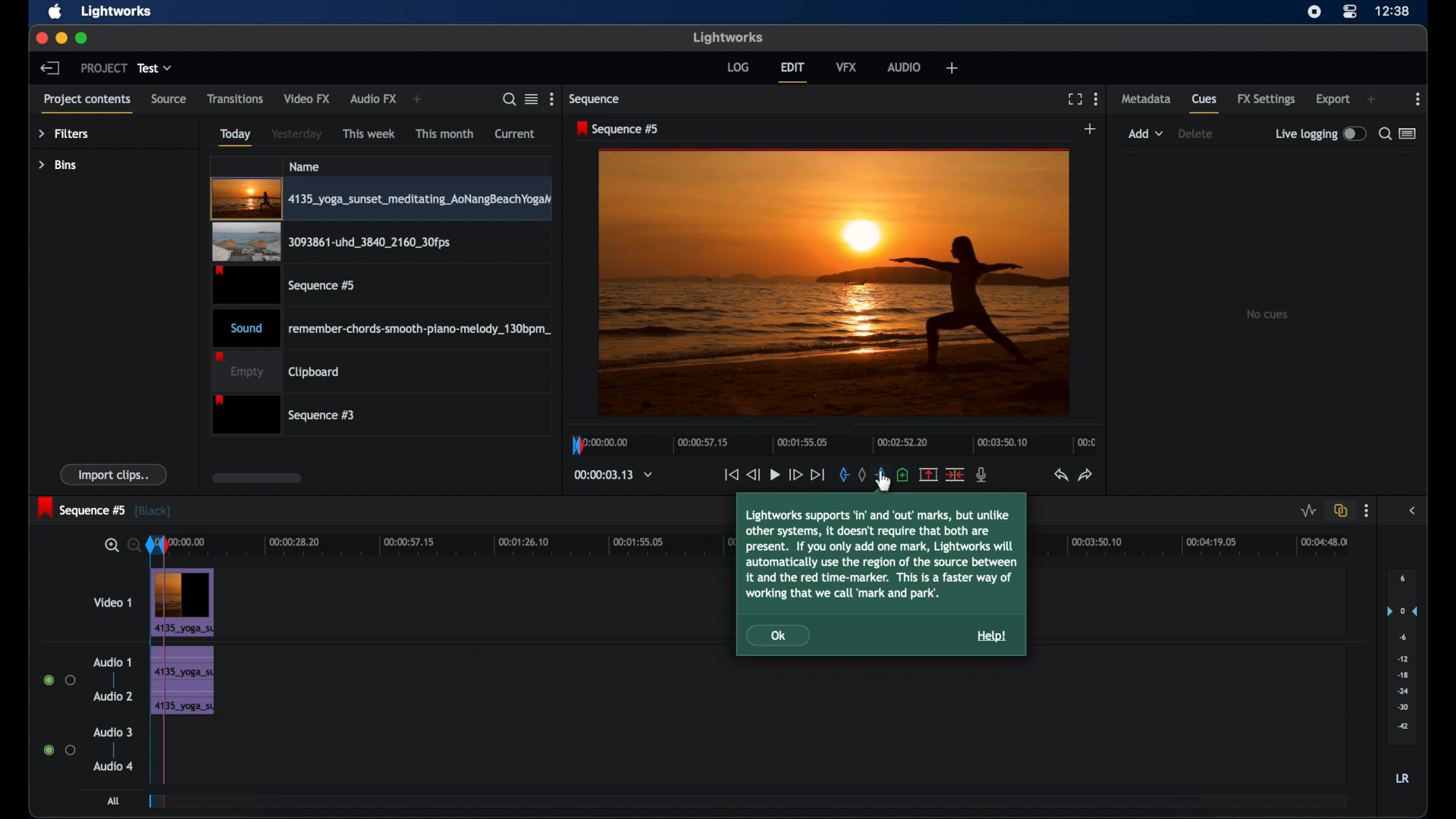 The image size is (1456, 819). I want to click on screen recorder icon, so click(1313, 12).